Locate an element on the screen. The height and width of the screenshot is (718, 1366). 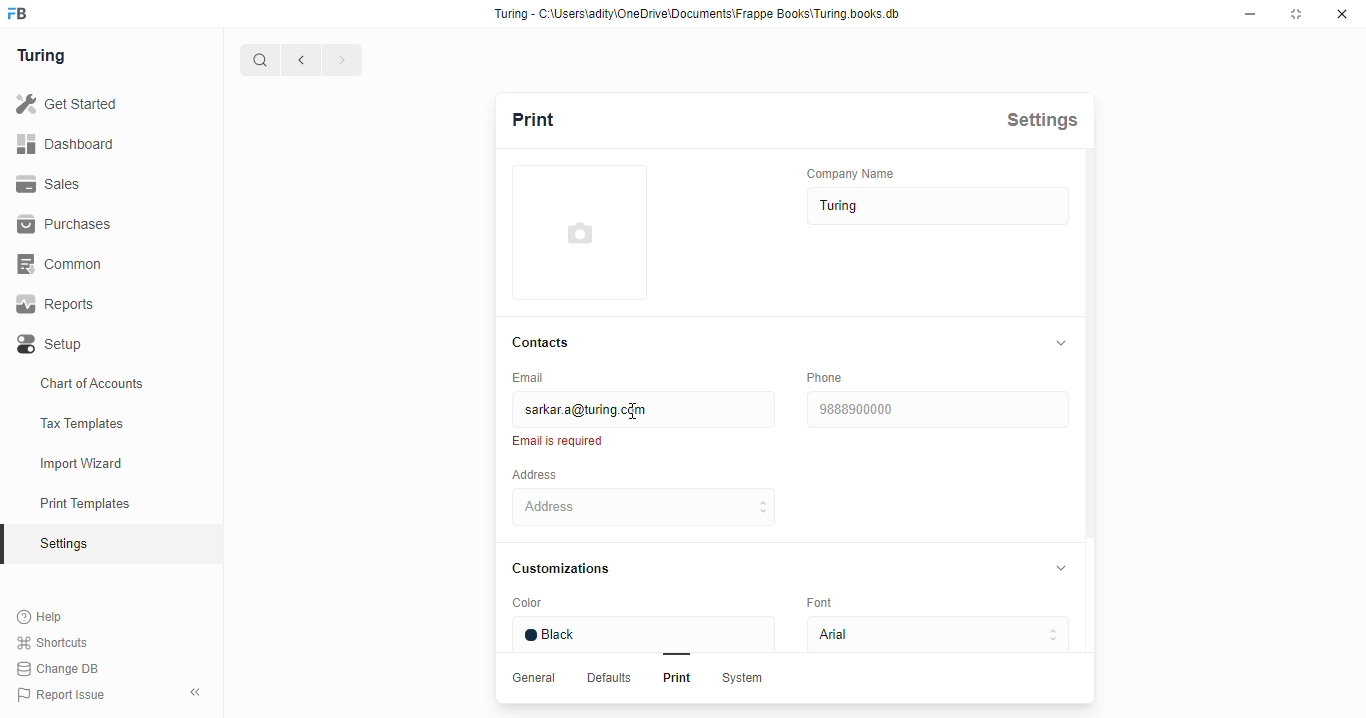
search is located at coordinates (261, 60).